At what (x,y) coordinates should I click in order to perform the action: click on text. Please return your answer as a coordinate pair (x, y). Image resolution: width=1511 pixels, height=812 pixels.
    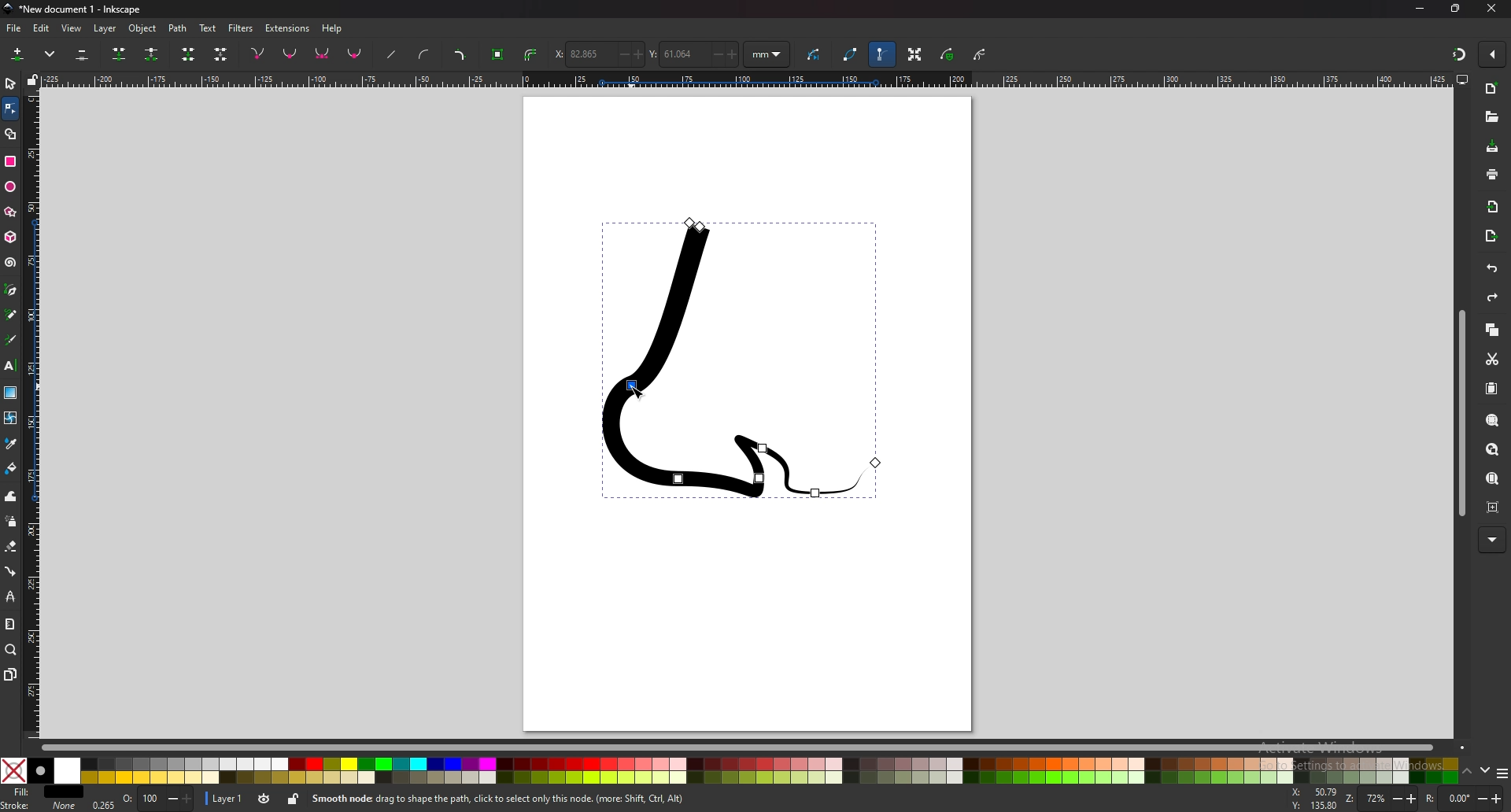
    Looking at the image, I should click on (11, 366).